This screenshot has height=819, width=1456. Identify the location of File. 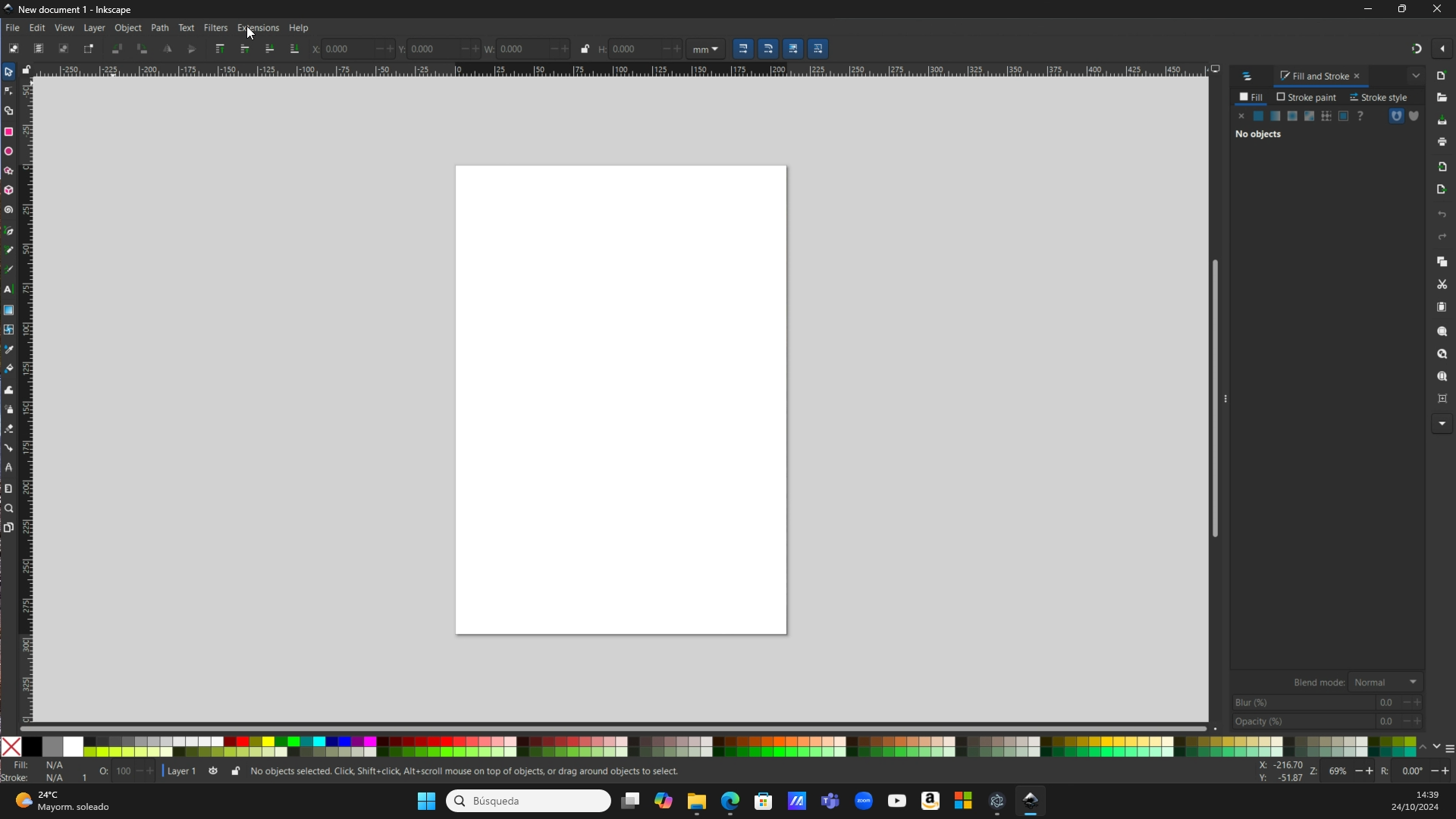
(14, 28).